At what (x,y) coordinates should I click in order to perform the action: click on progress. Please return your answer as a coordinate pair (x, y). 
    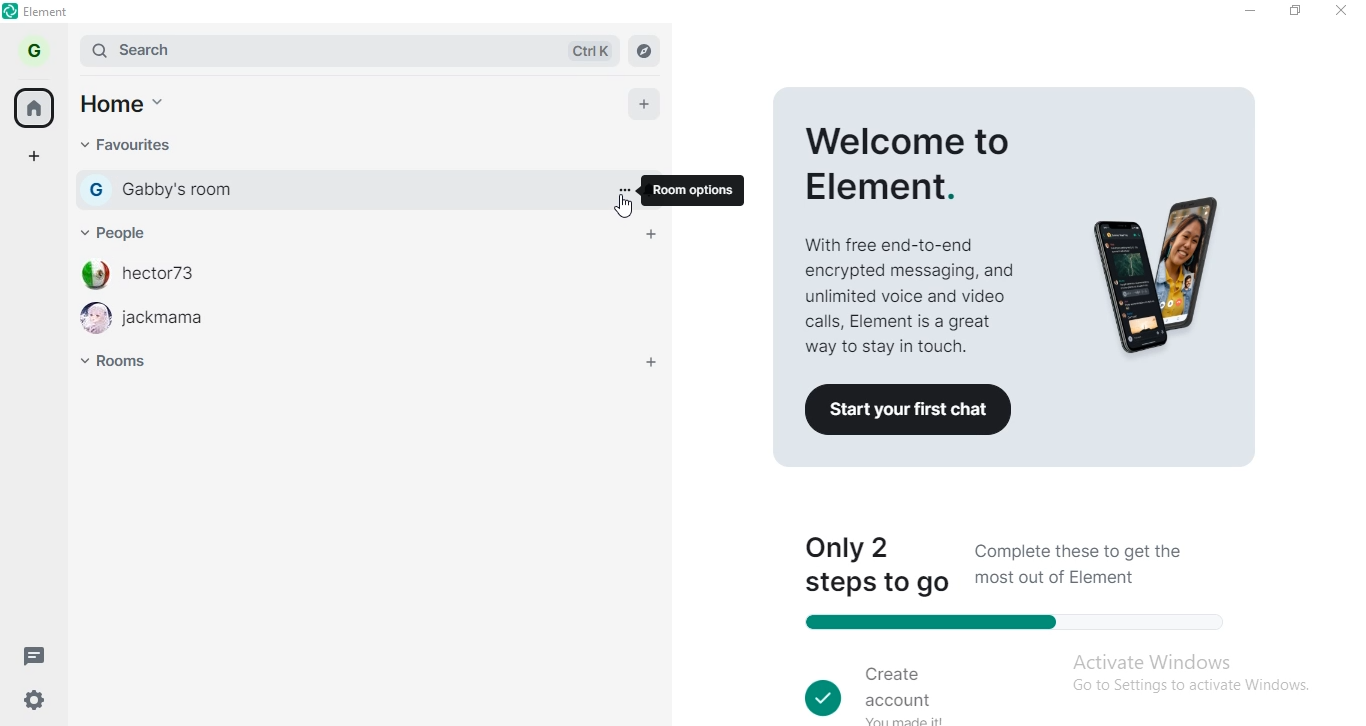
    Looking at the image, I should click on (1011, 624).